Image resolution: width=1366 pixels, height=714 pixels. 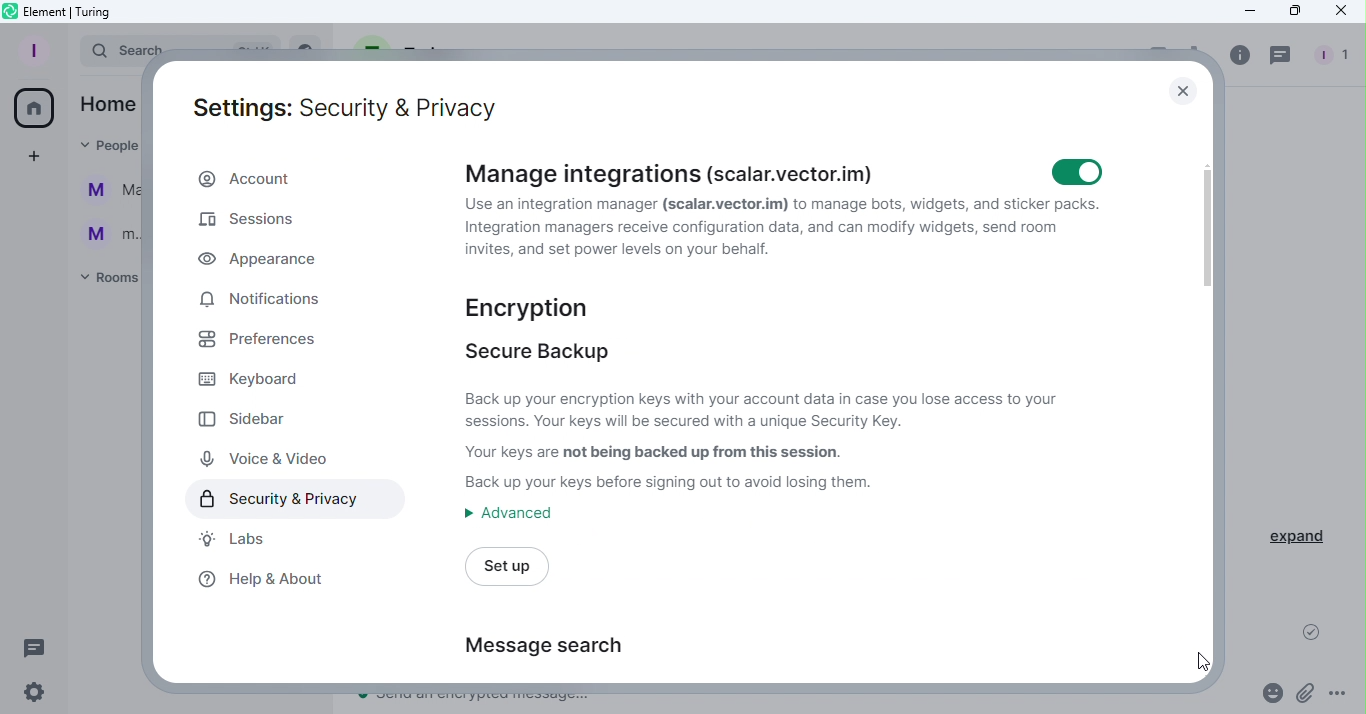 I want to click on Attachment, so click(x=1307, y=693).